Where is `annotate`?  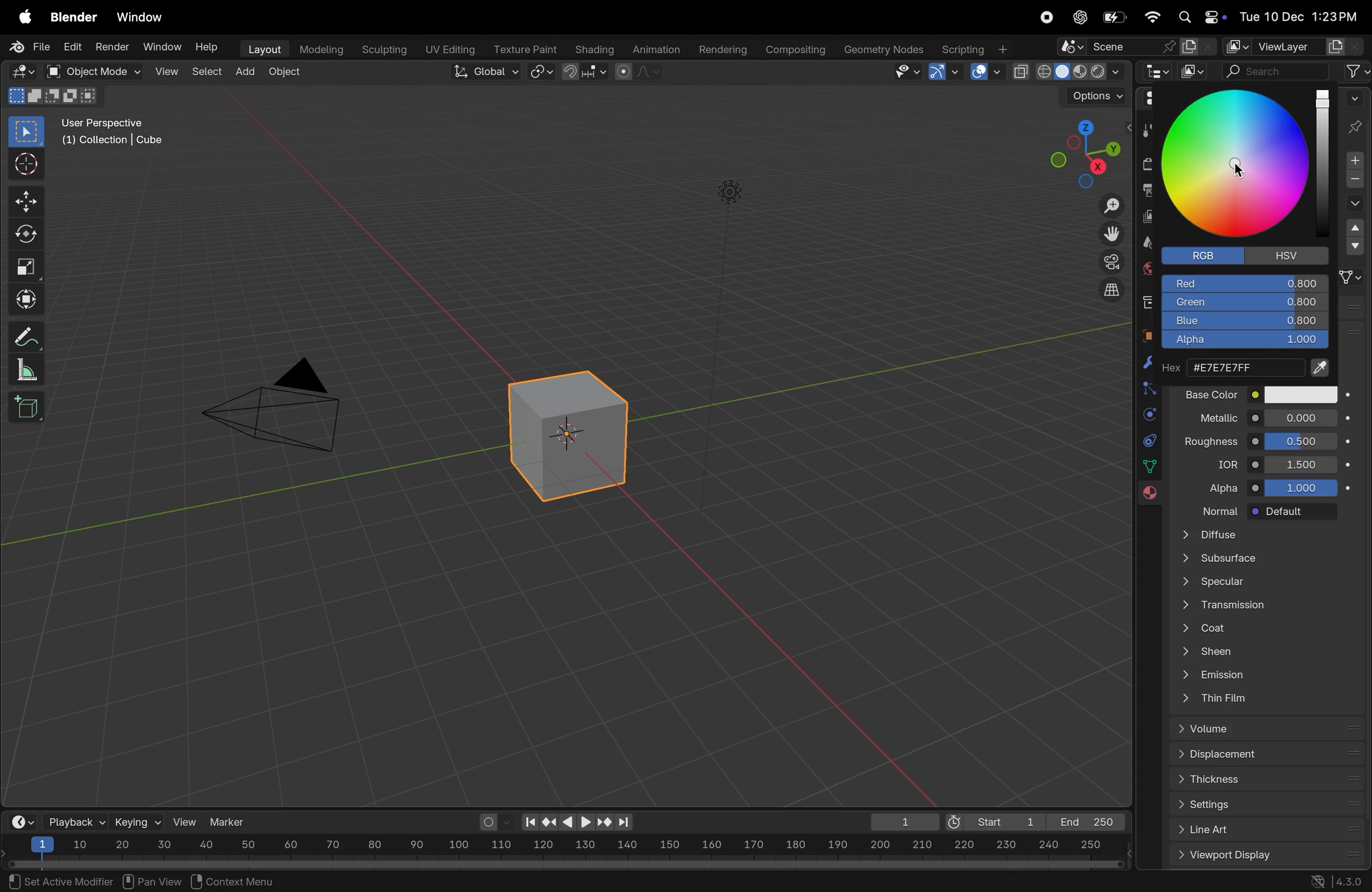
annotate is located at coordinates (22, 336).